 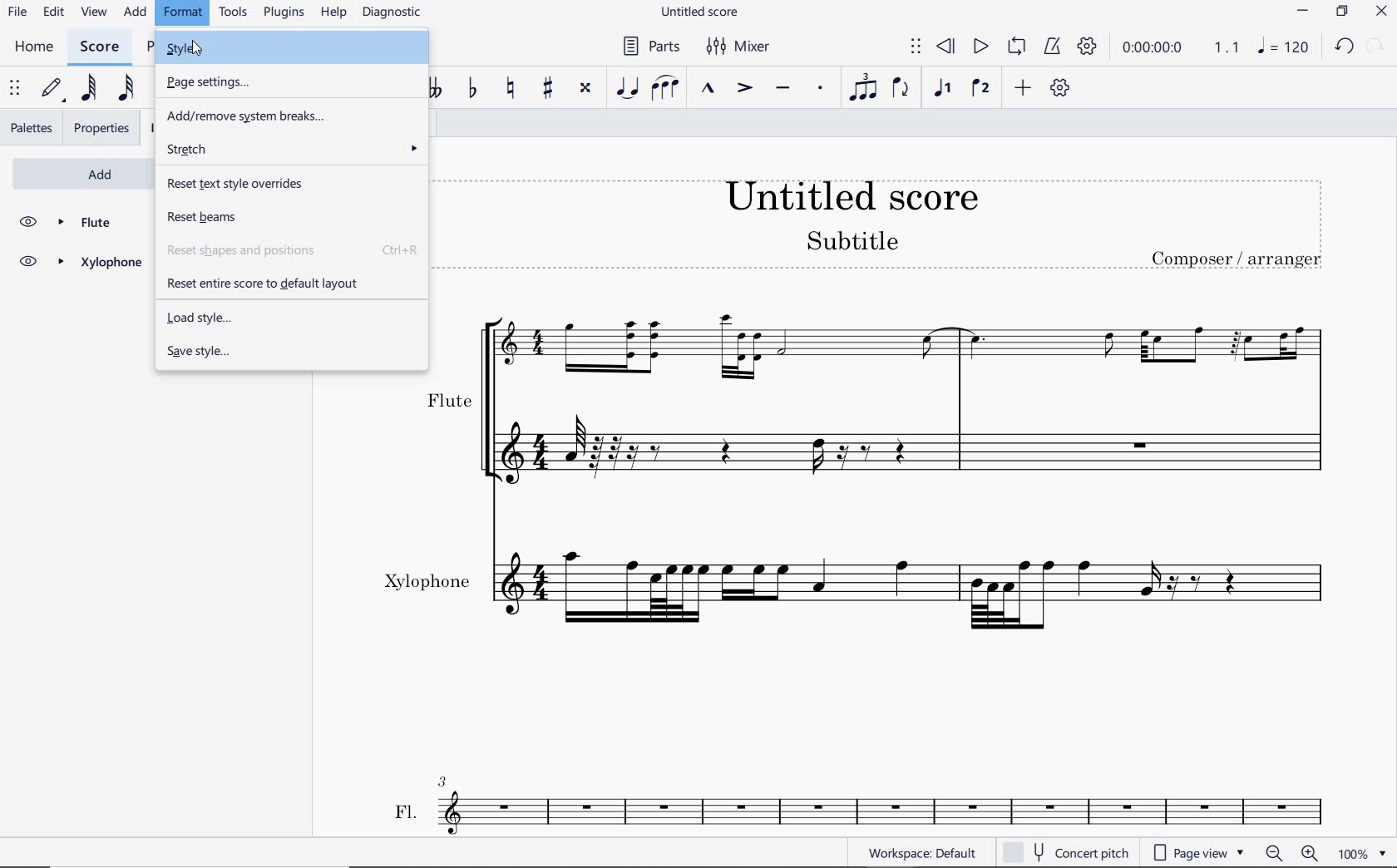 I want to click on 64TH NOTE, so click(x=86, y=89).